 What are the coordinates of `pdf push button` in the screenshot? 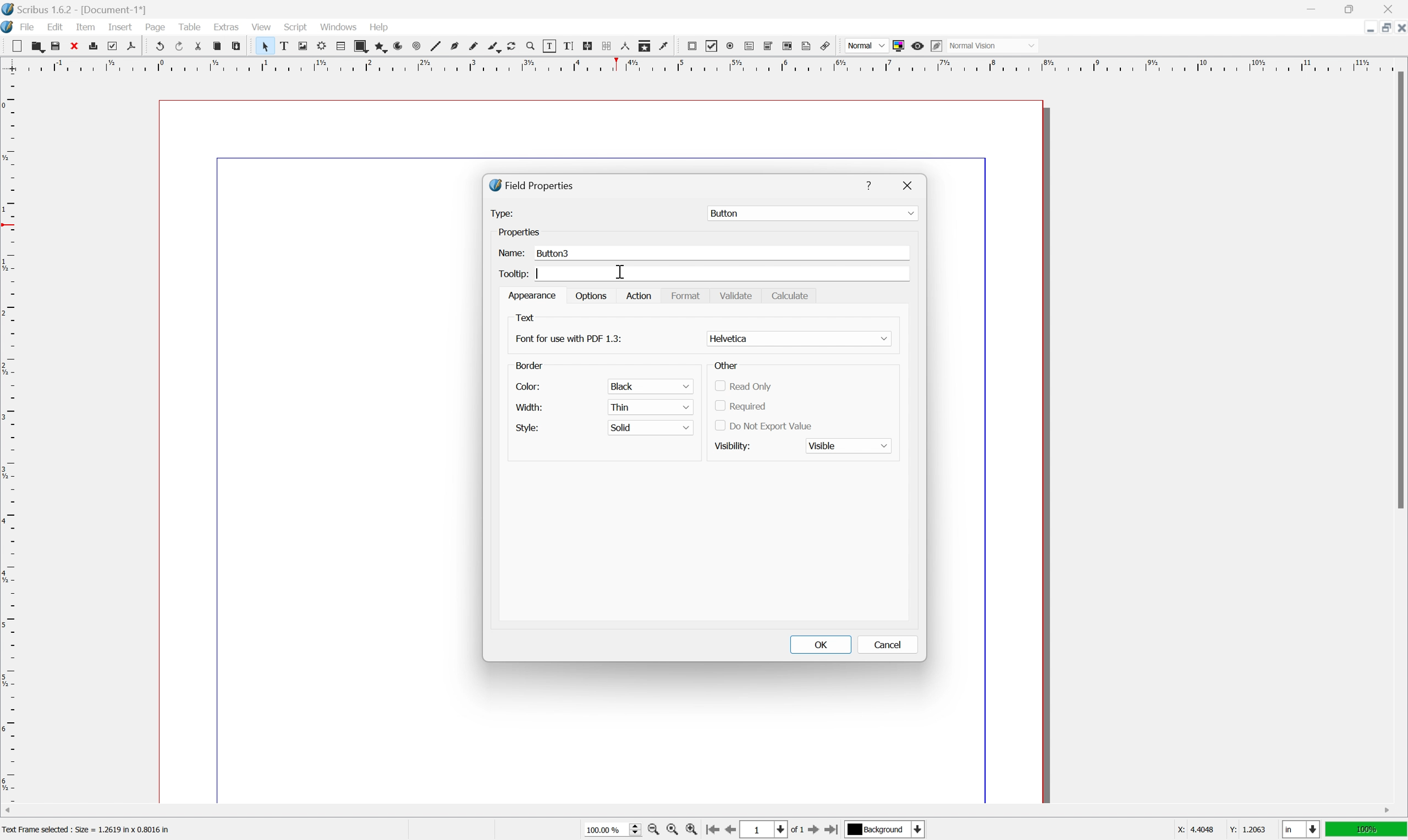 It's located at (692, 45).